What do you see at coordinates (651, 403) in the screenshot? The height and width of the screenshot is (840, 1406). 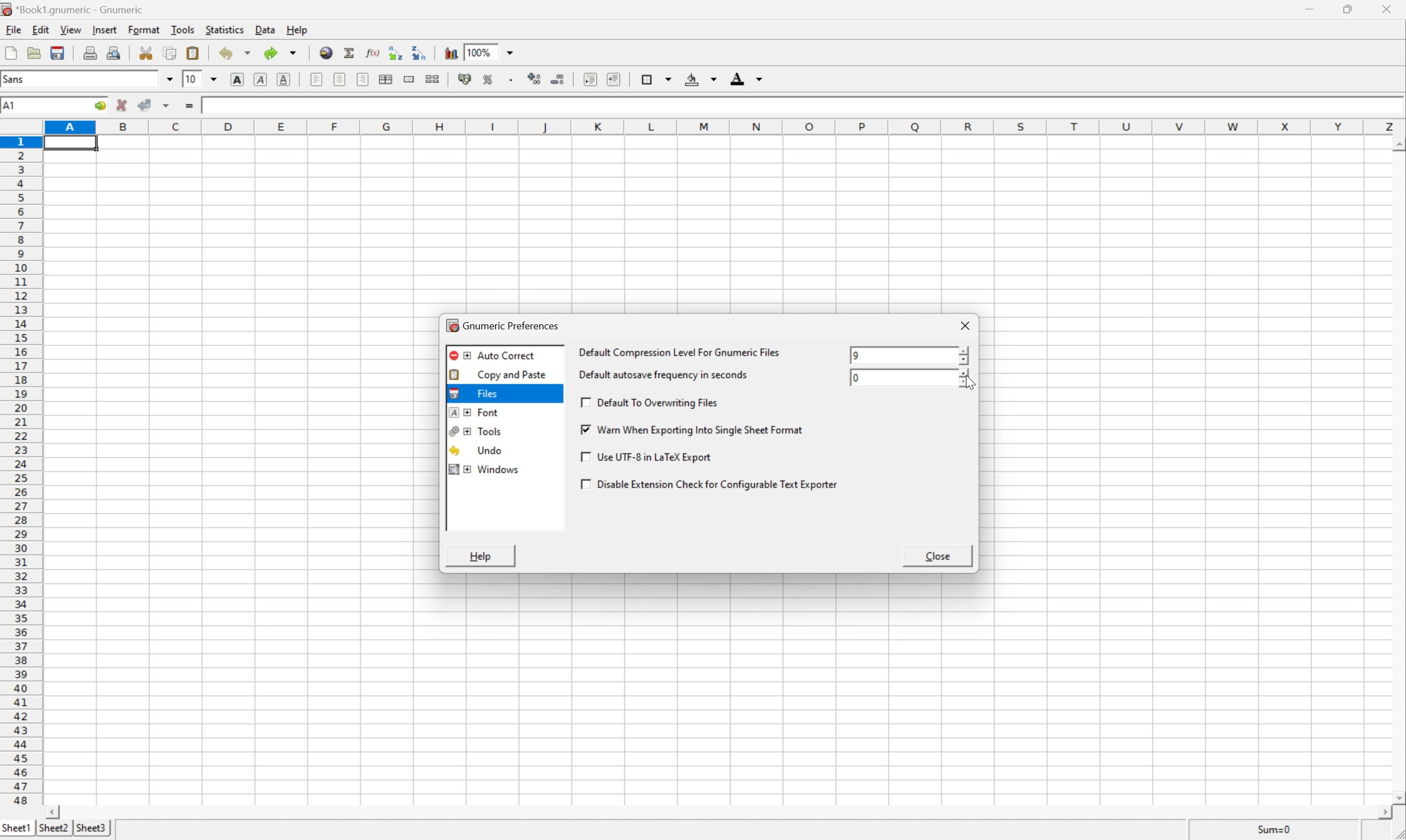 I see `default to overwriting files` at bounding box center [651, 403].